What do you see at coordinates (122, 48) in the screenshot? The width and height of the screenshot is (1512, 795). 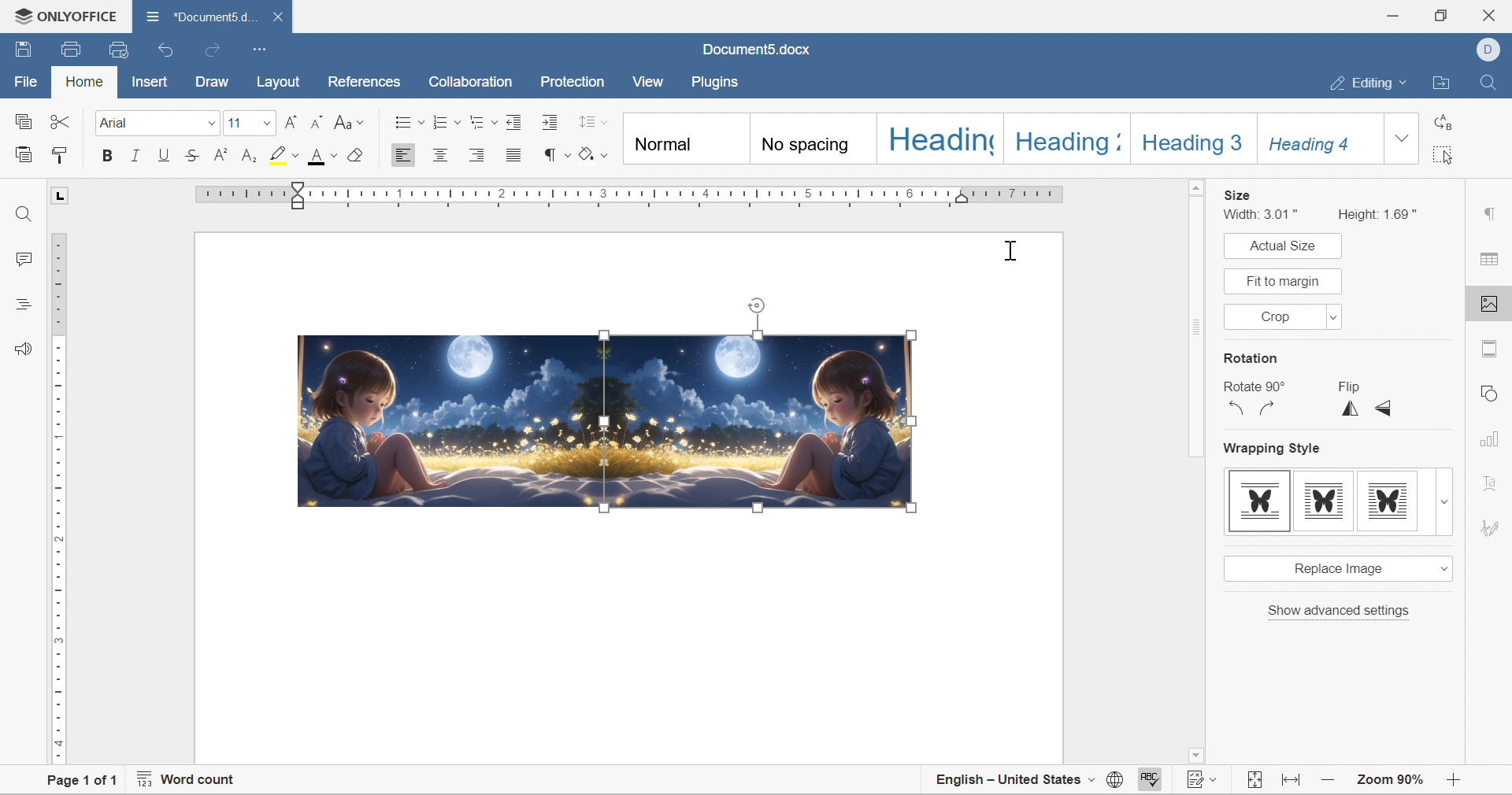 I see `quick print` at bounding box center [122, 48].